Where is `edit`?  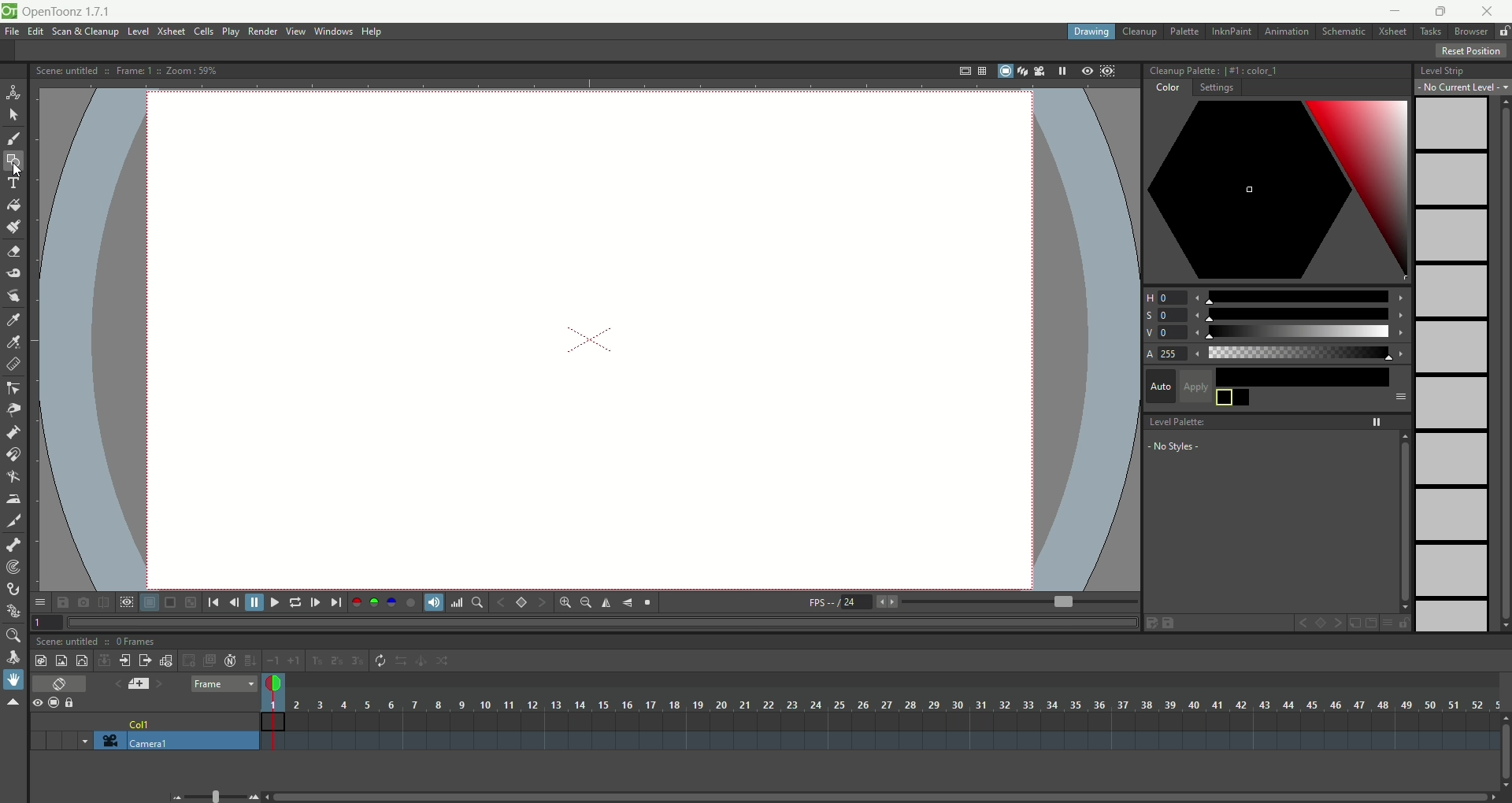 edit is located at coordinates (35, 33).